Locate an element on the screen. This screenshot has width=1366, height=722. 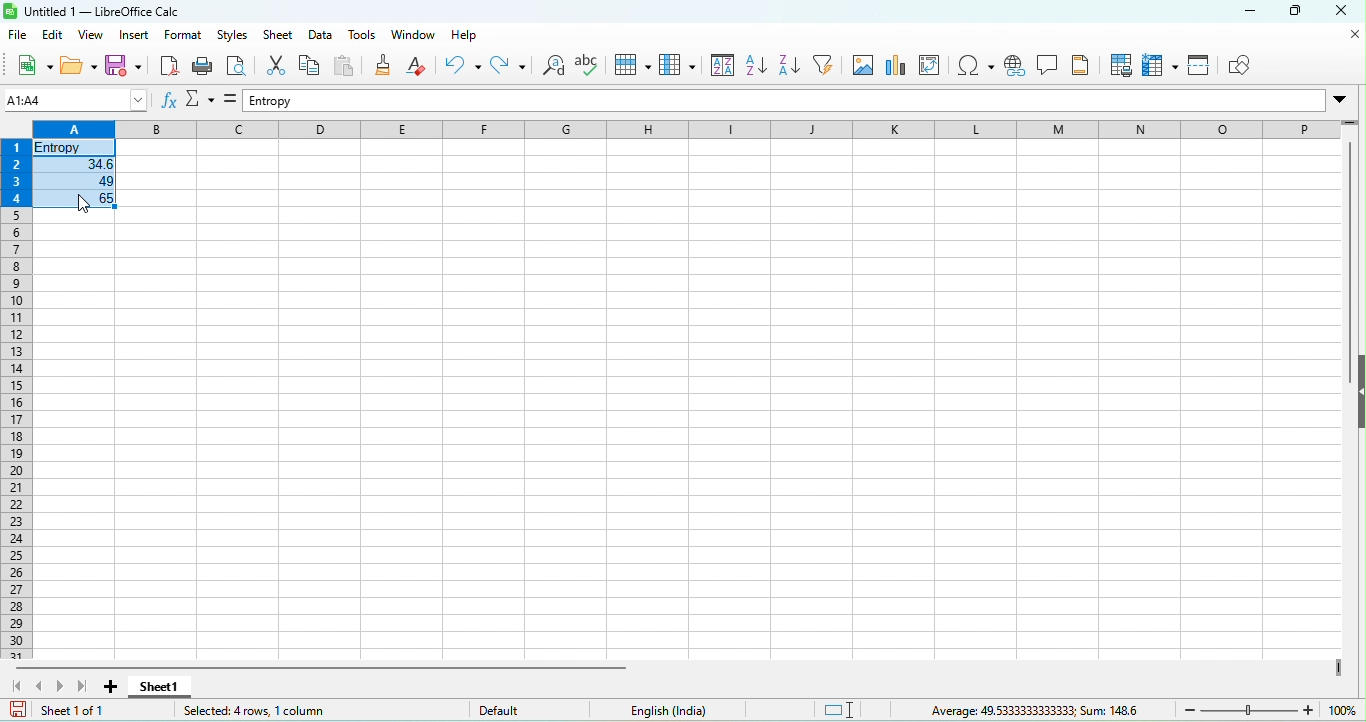
horizontal scroll bar is located at coordinates (318, 667).